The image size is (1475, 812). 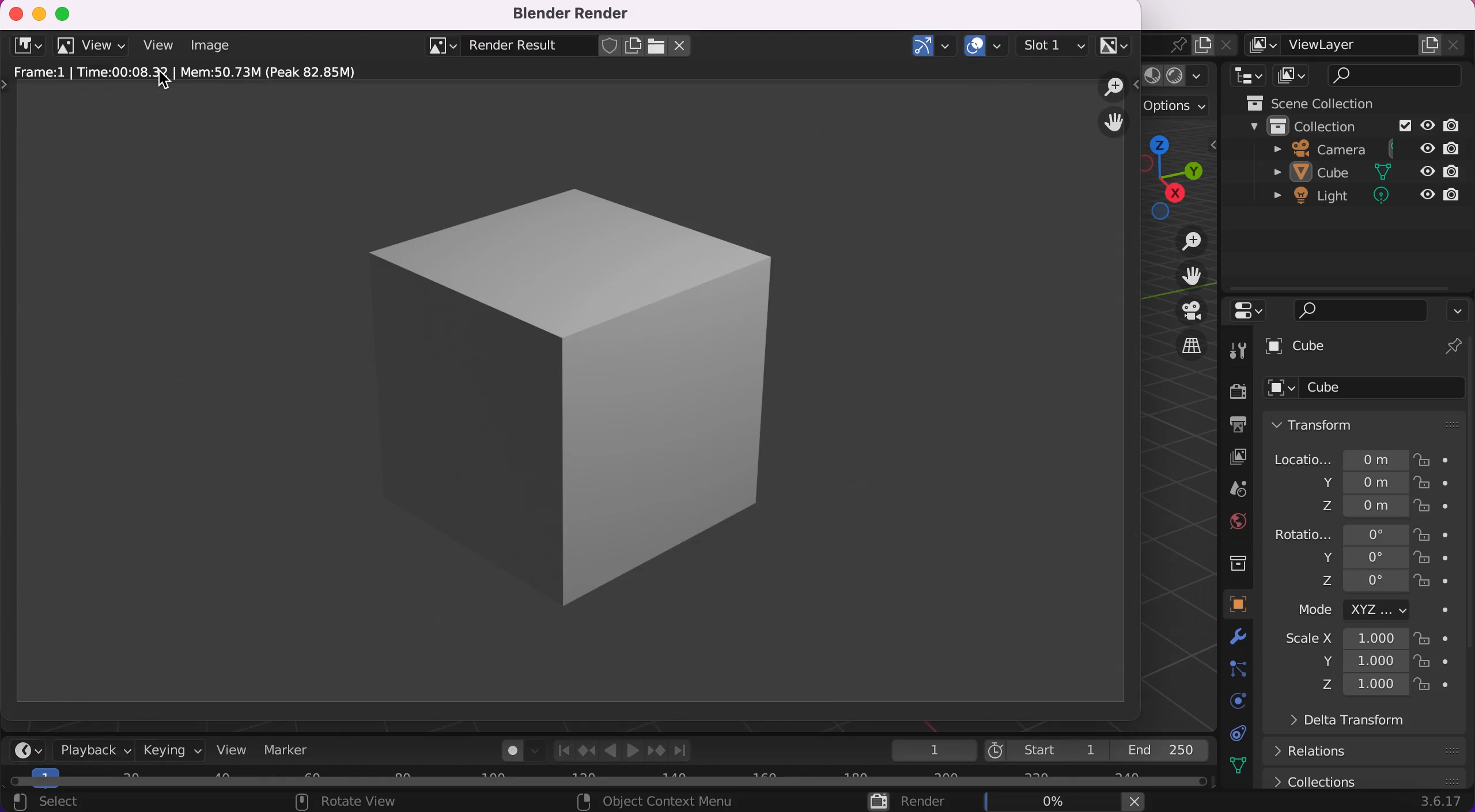 I want to click on playback, so click(x=86, y=749).